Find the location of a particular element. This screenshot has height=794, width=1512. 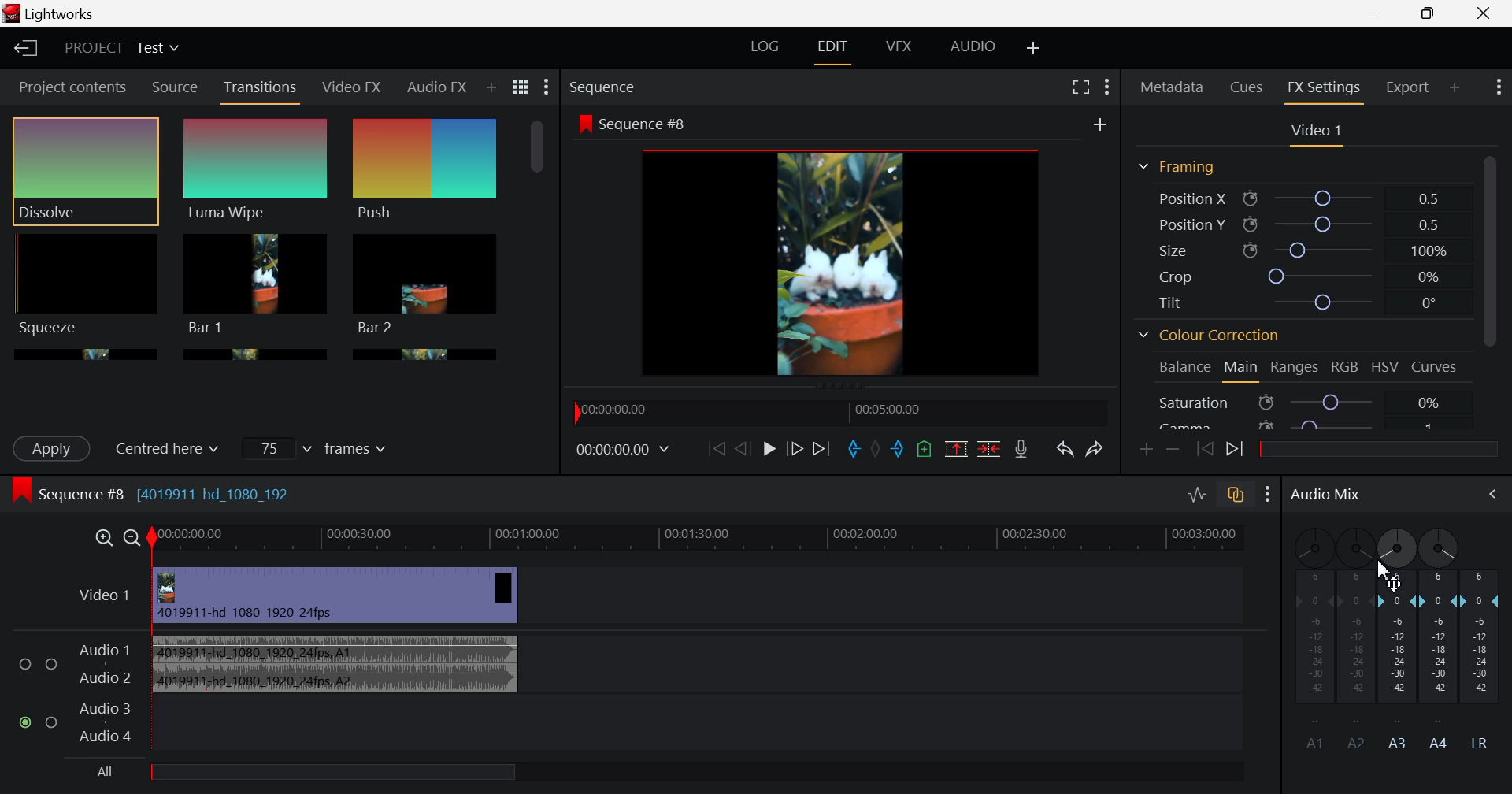

Show Settings is located at coordinates (547, 87).